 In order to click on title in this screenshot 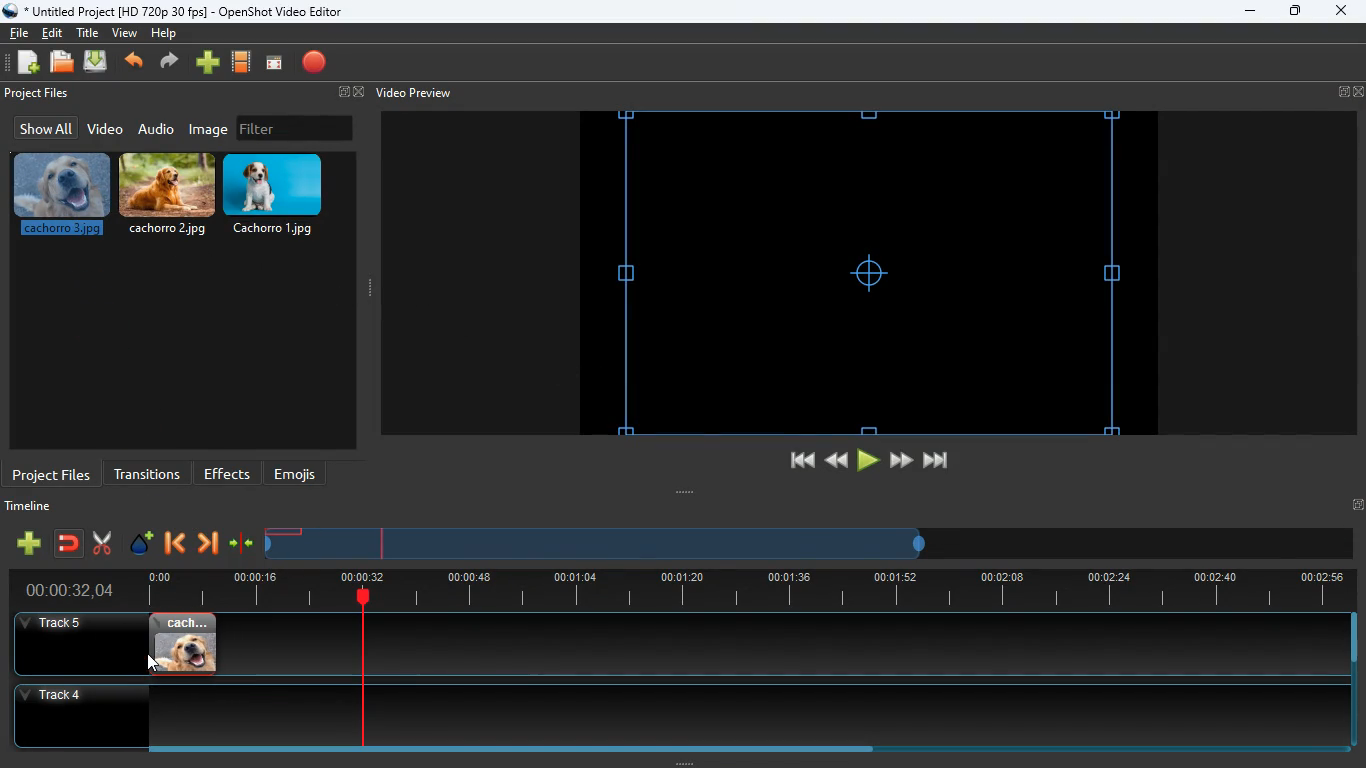, I will do `click(90, 32)`.